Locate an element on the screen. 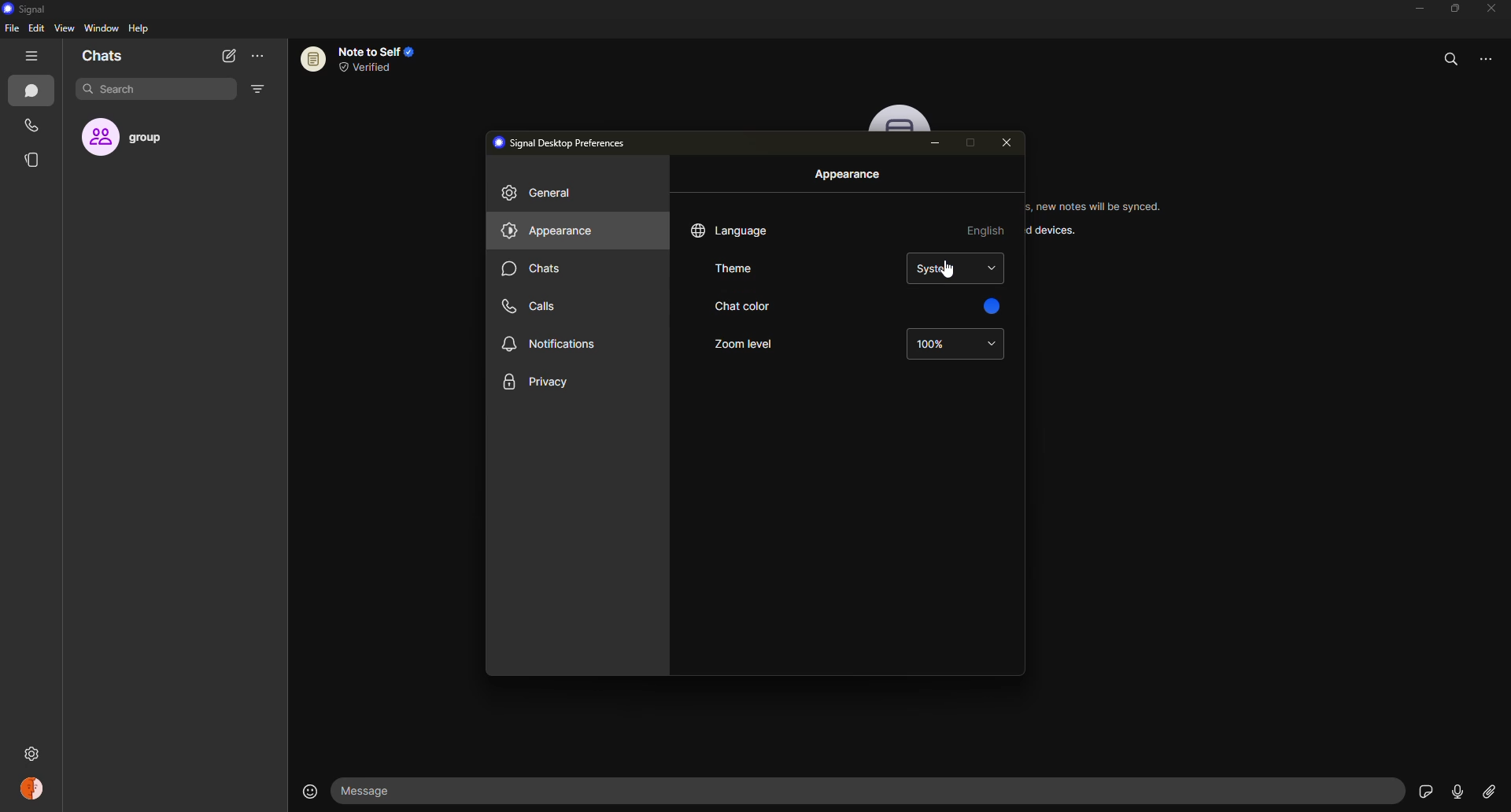 Image resolution: width=1511 pixels, height=812 pixels. desktop preferences is located at coordinates (564, 142).